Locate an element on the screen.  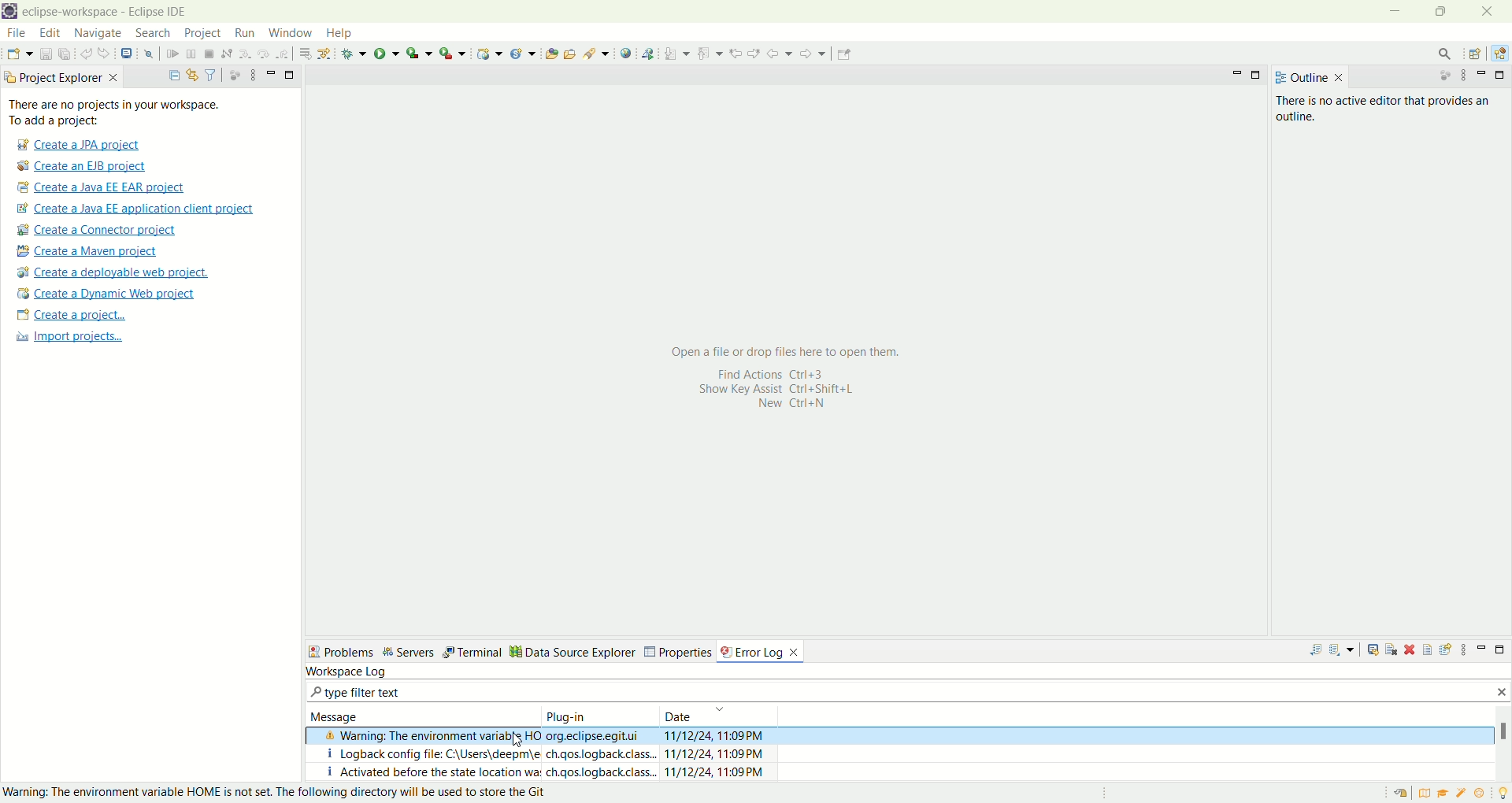
filter is located at coordinates (211, 74).